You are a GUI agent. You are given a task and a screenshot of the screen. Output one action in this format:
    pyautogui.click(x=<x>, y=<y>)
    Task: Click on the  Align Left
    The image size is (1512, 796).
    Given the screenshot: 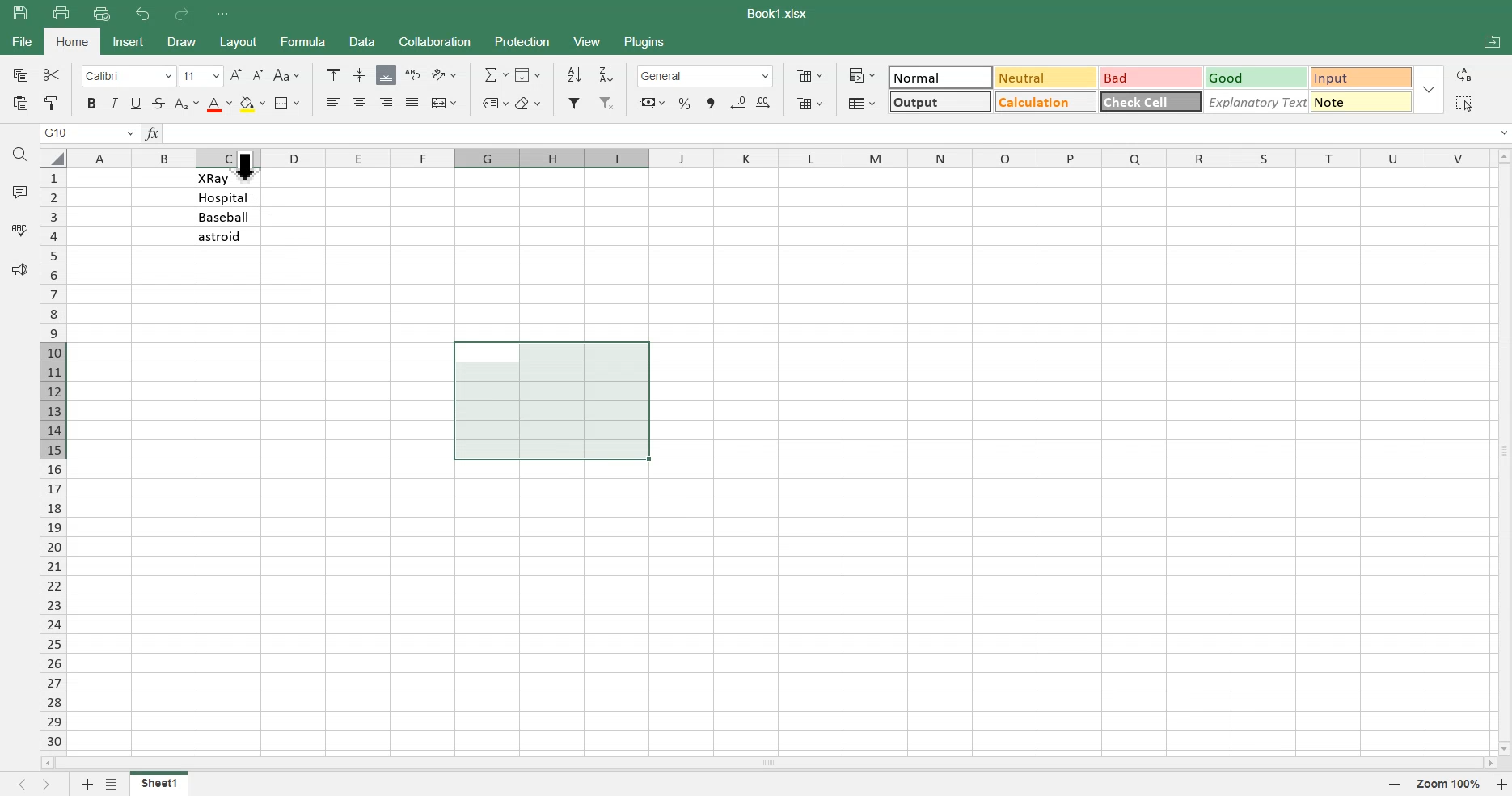 What is the action you would take?
    pyautogui.click(x=335, y=103)
    